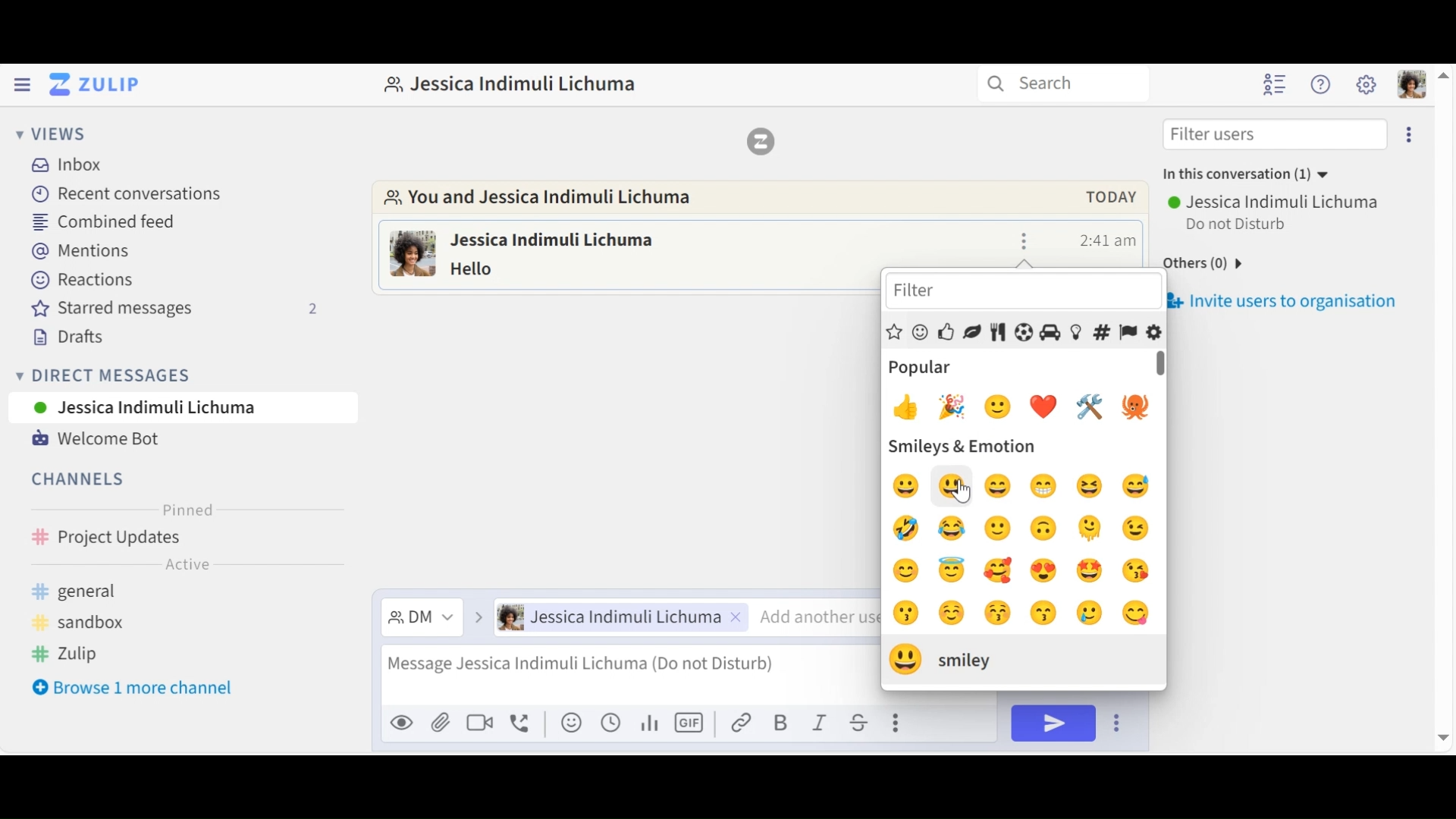 The width and height of the screenshot is (1456, 819). What do you see at coordinates (1200, 265) in the screenshot?
I see `others(0)` at bounding box center [1200, 265].